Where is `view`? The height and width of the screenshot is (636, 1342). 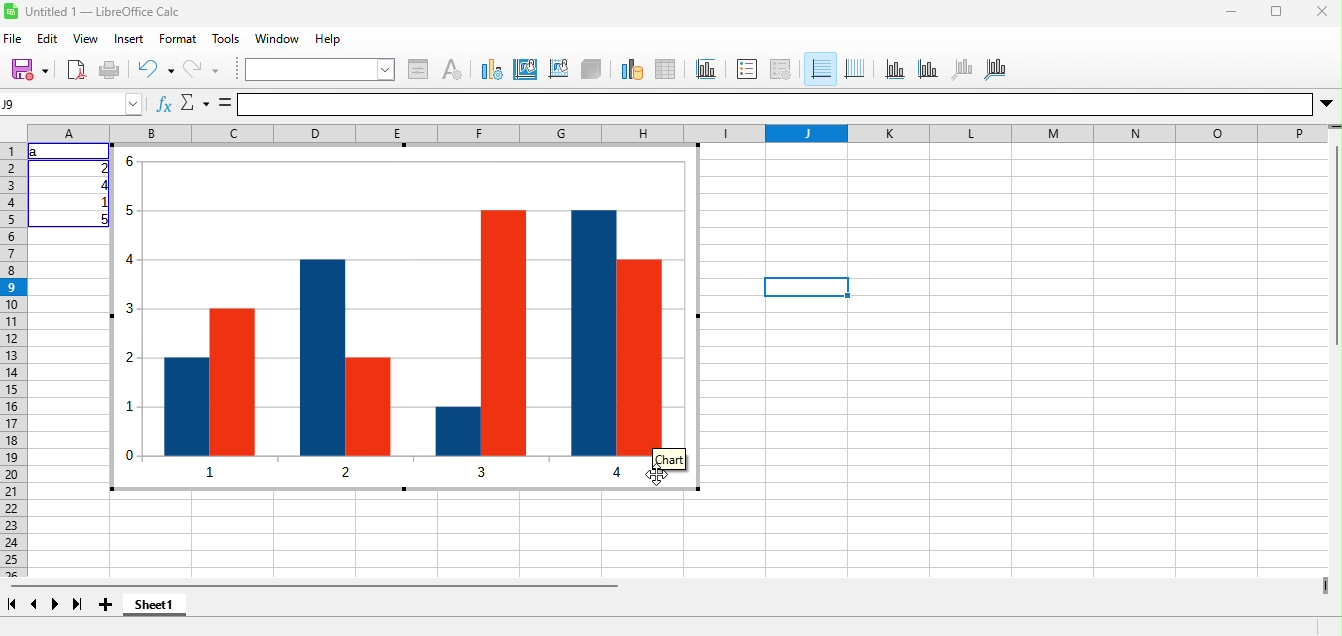 view is located at coordinates (87, 40).